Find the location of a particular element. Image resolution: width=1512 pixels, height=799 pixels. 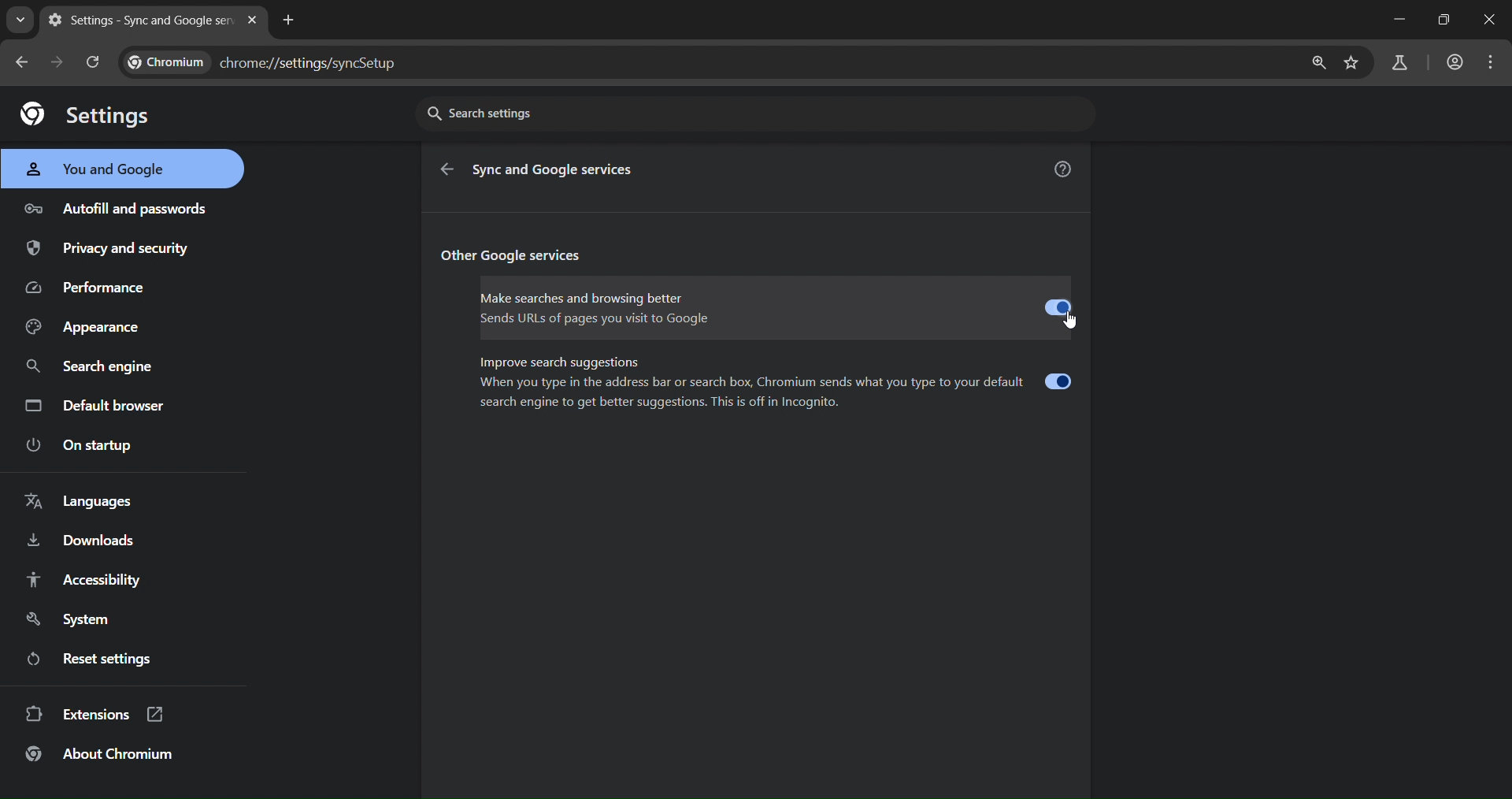

chrome://settingd/syncSetup is located at coordinates (272, 59).